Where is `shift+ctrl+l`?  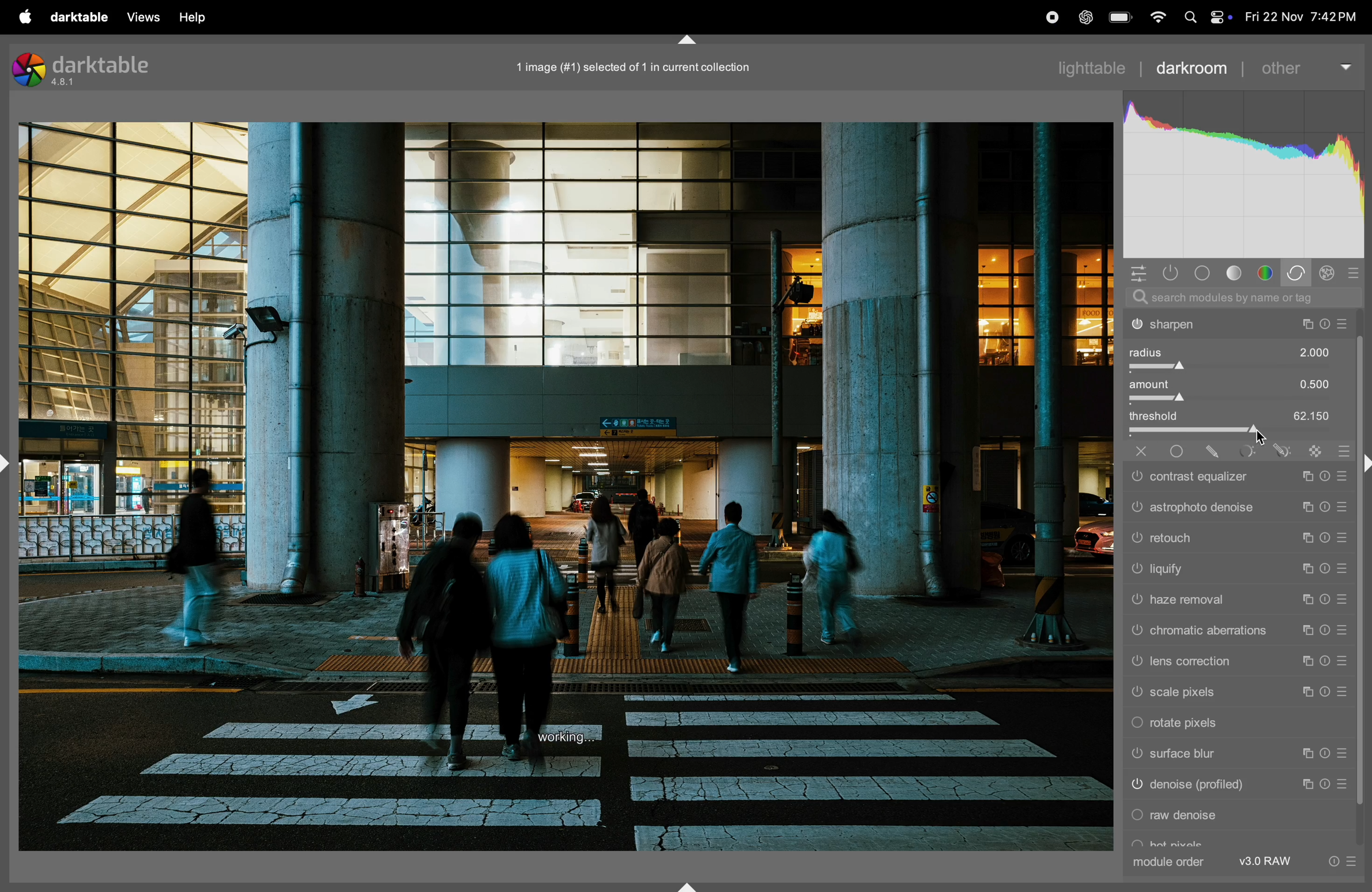 shift+ctrl+l is located at coordinates (9, 463).